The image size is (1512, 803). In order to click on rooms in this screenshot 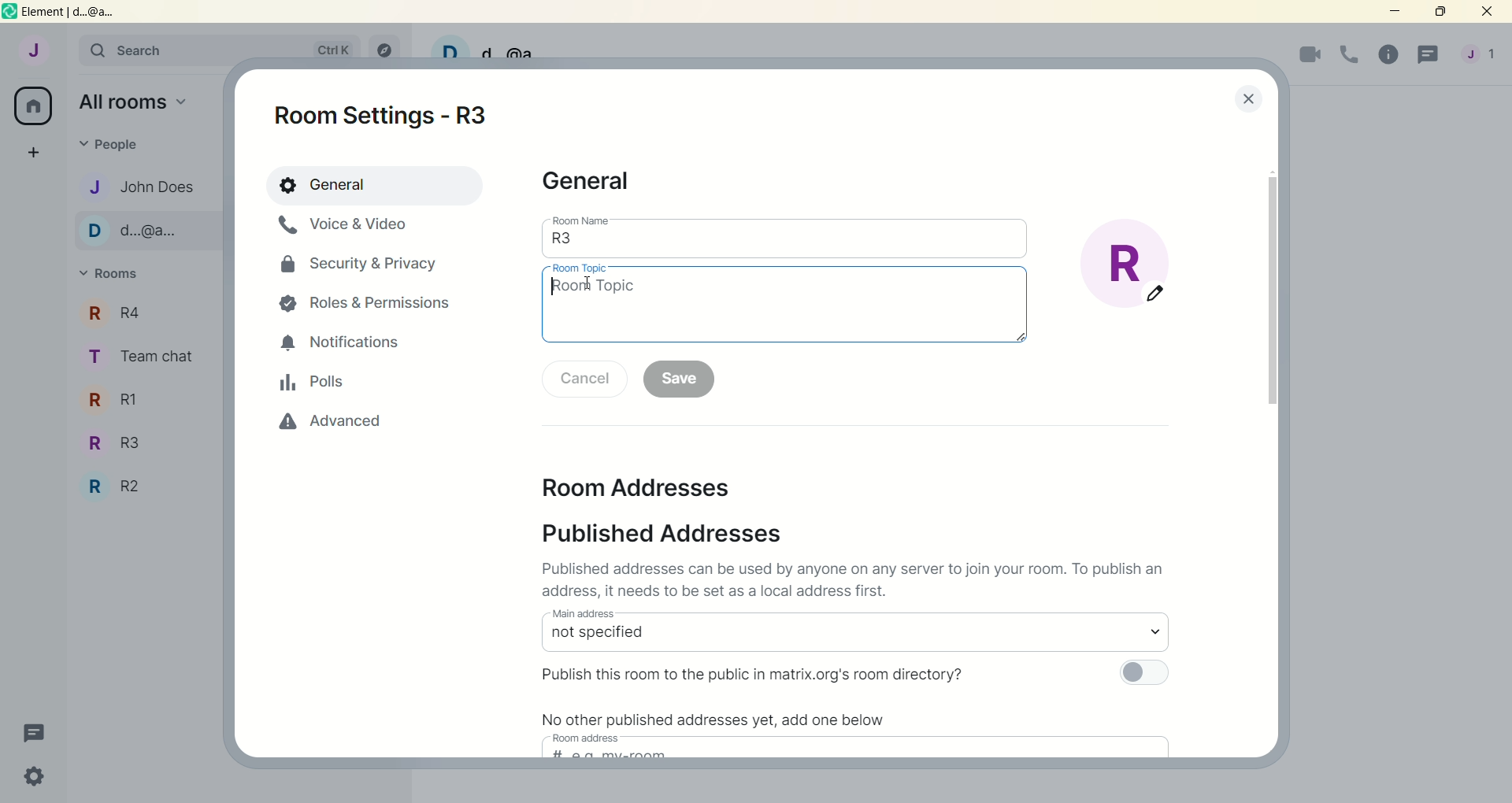, I will do `click(109, 273)`.